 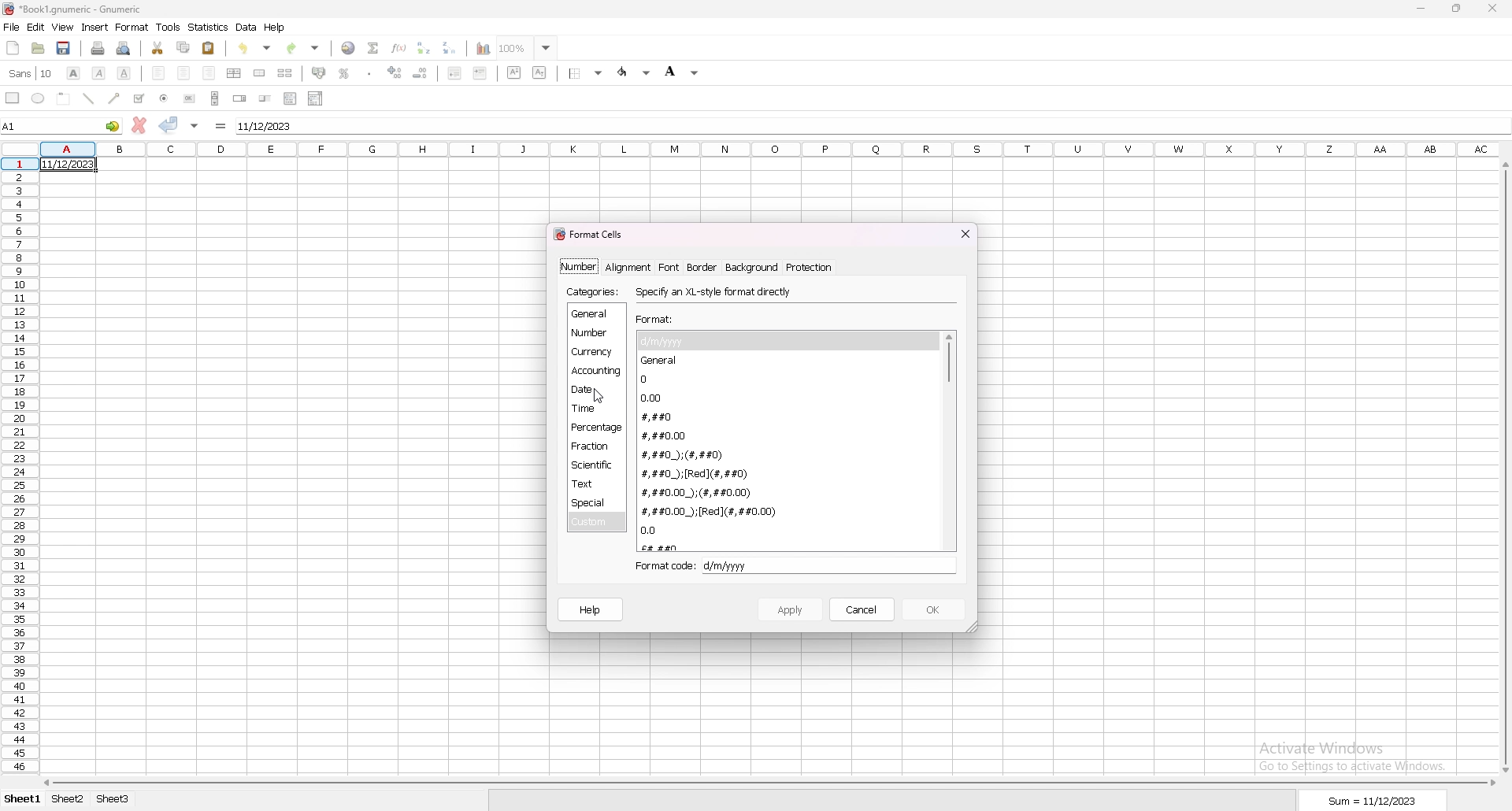 I want to click on percentage, so click(x=344, y=73).